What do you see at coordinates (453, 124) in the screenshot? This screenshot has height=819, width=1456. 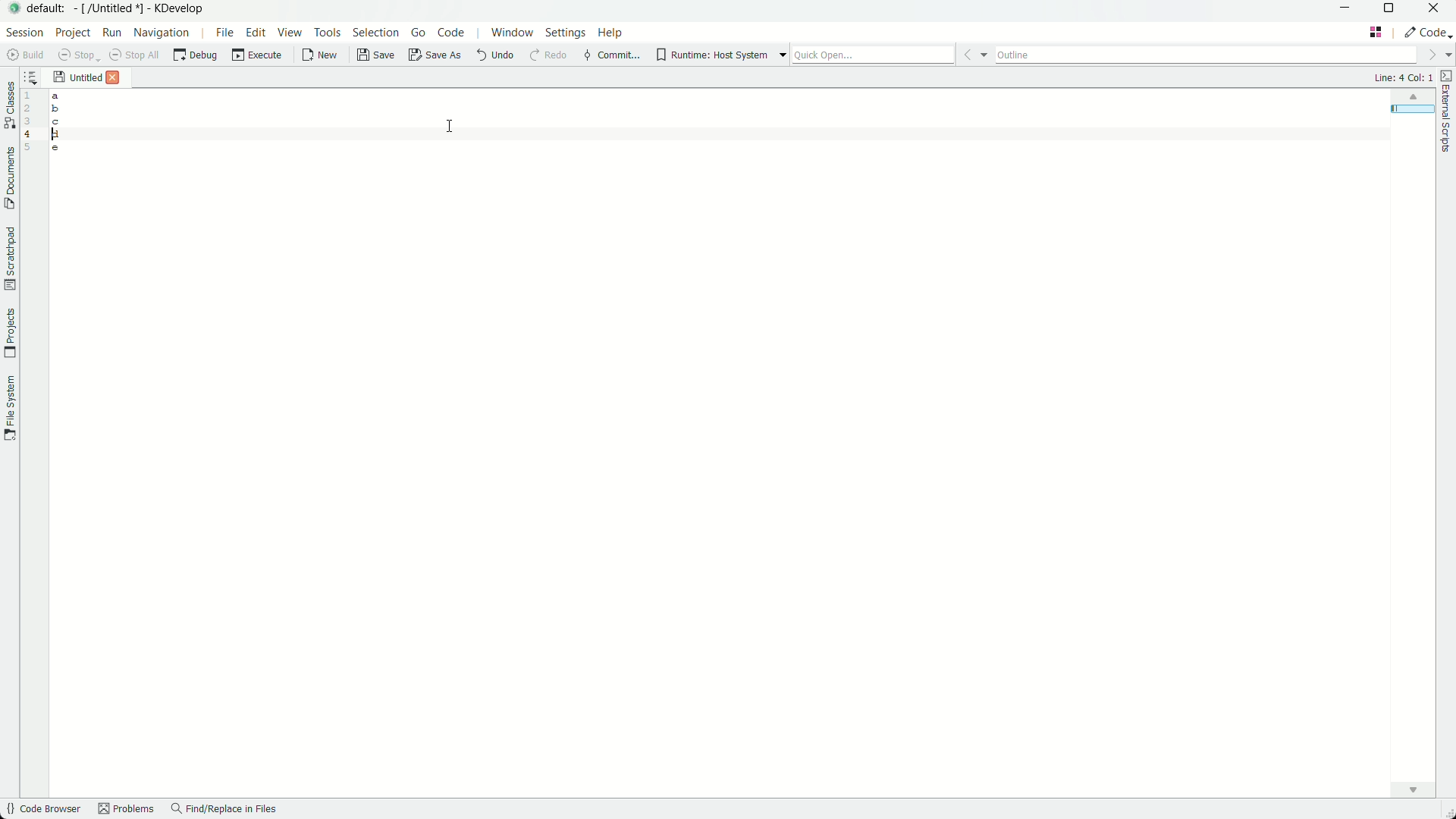 I see `cursor` at bounding box center [453, 124].